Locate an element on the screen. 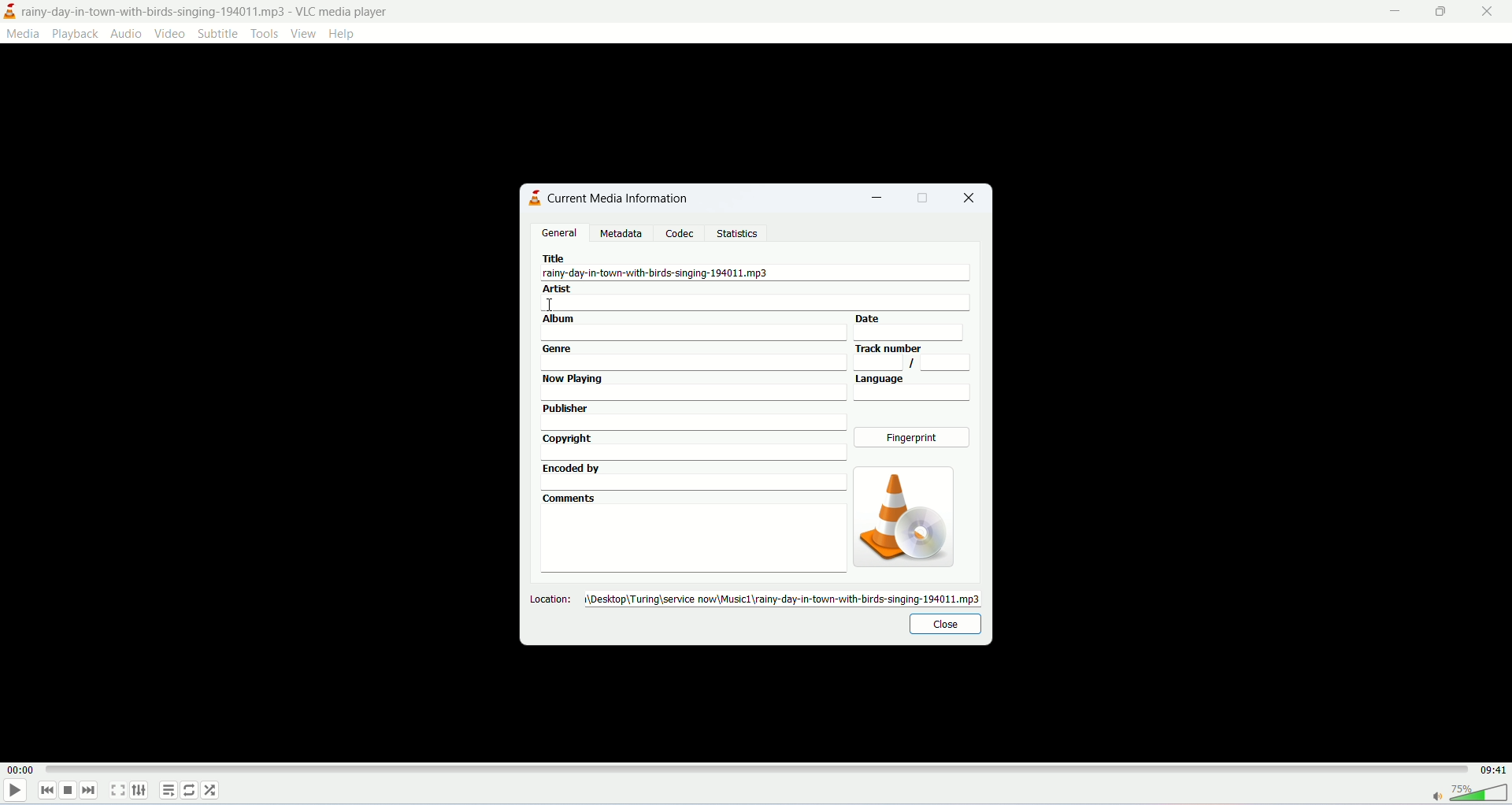  progress bar is located at coordinates (758, 769).